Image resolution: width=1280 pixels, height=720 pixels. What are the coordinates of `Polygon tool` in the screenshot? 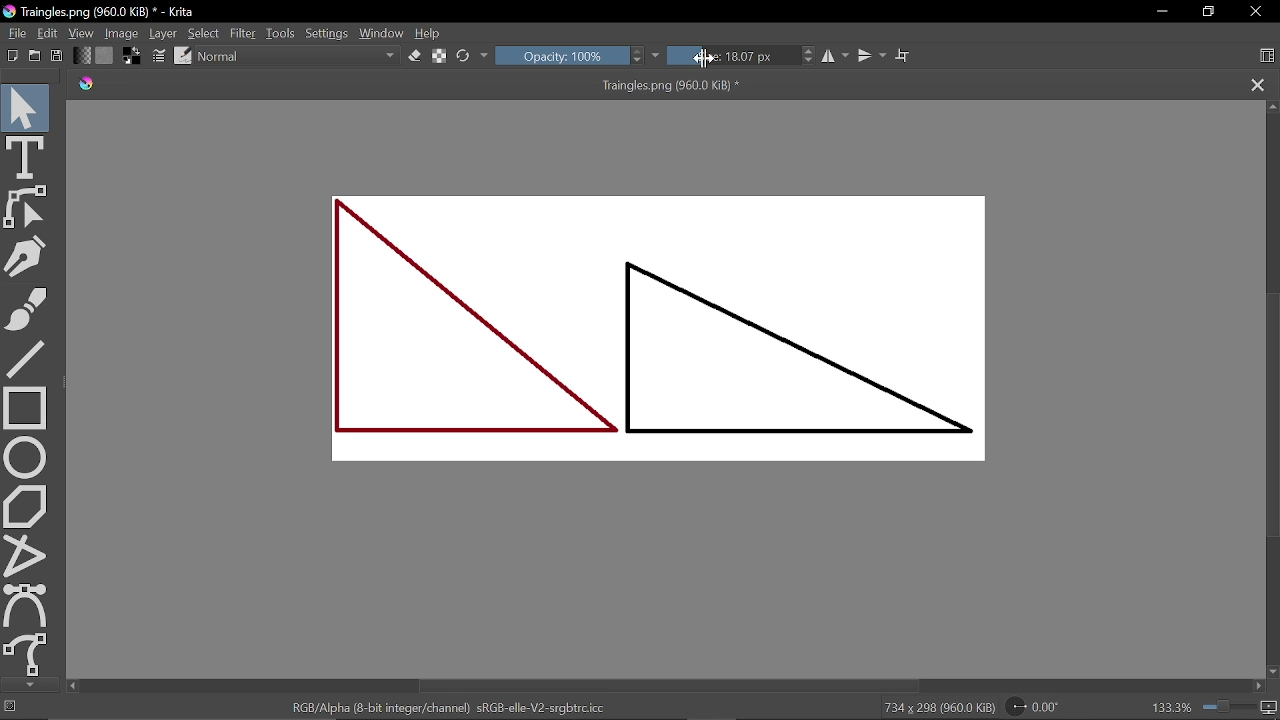 It's located at (28, 506).